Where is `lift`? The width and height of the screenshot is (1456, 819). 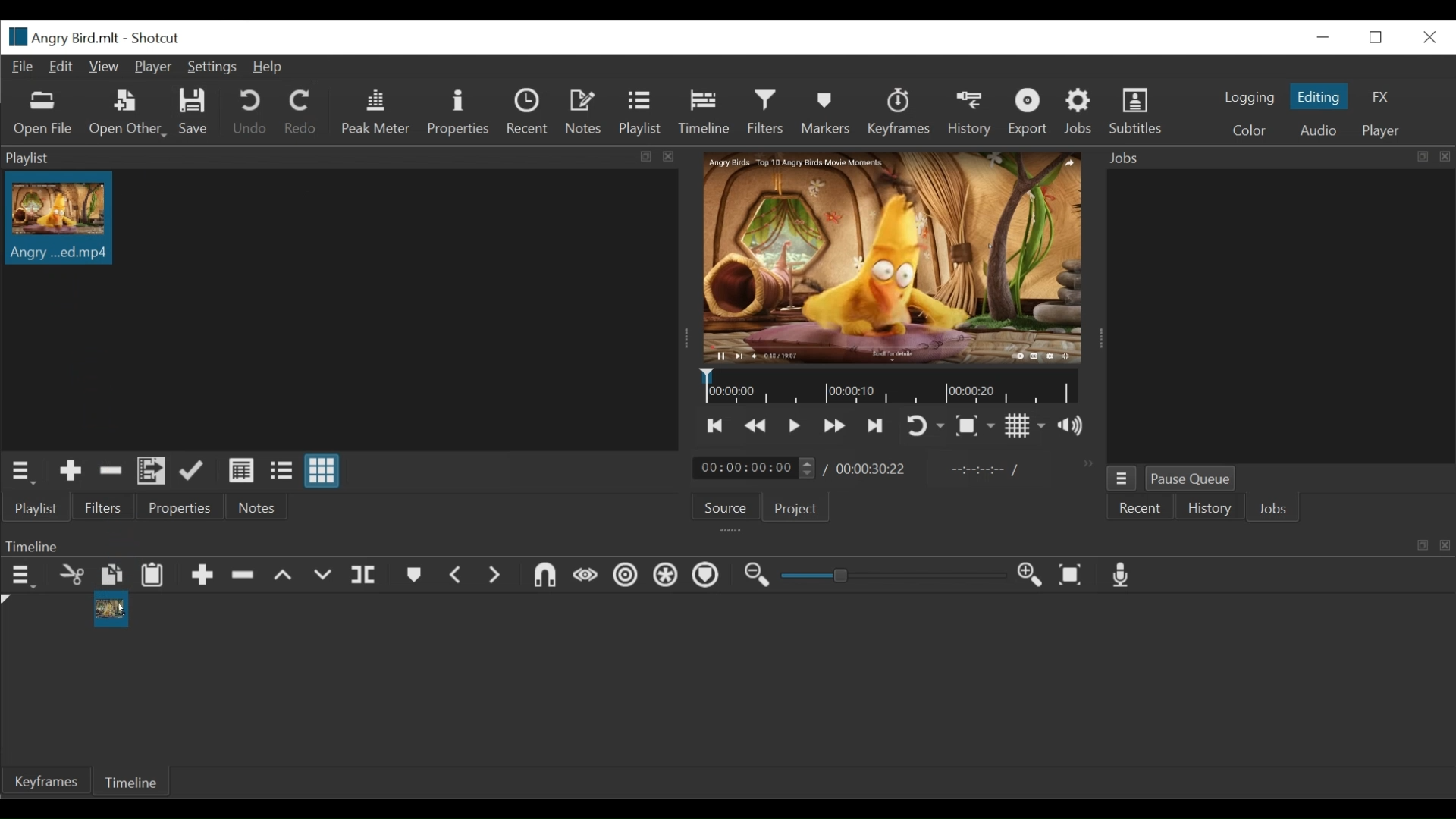 lift is located at coordinates (285, 577).